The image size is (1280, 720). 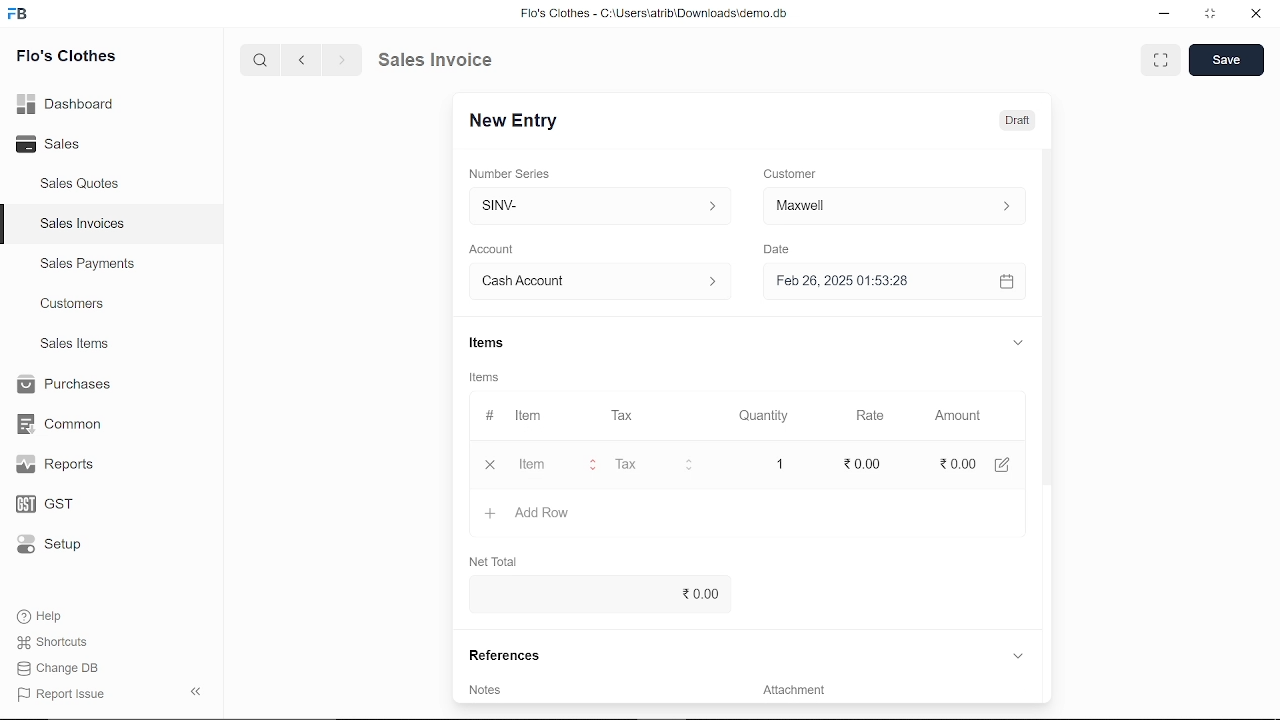 What do you see at coordinates (82, 185) in the screenshot?
I see `Sales Quotes` at bounding box center [82, 185].